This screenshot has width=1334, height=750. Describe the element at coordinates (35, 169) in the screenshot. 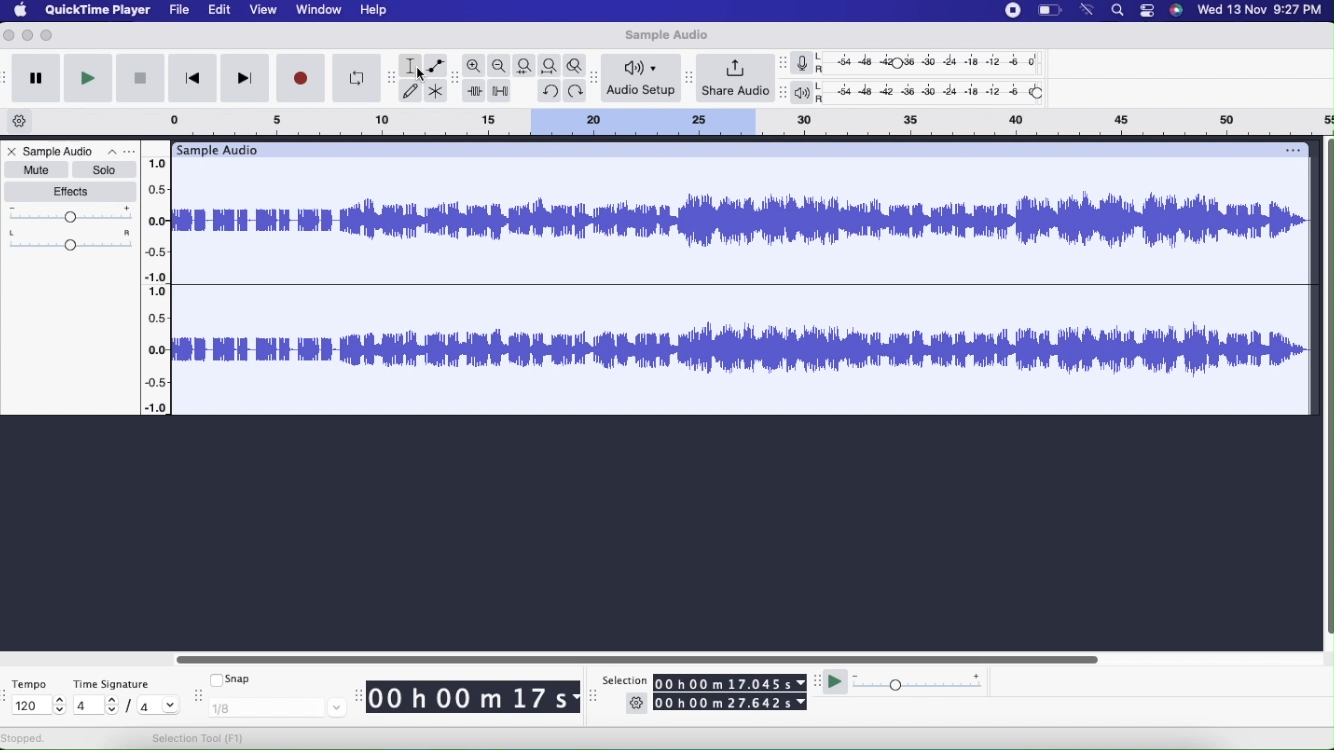

I see `Mute` at that location.